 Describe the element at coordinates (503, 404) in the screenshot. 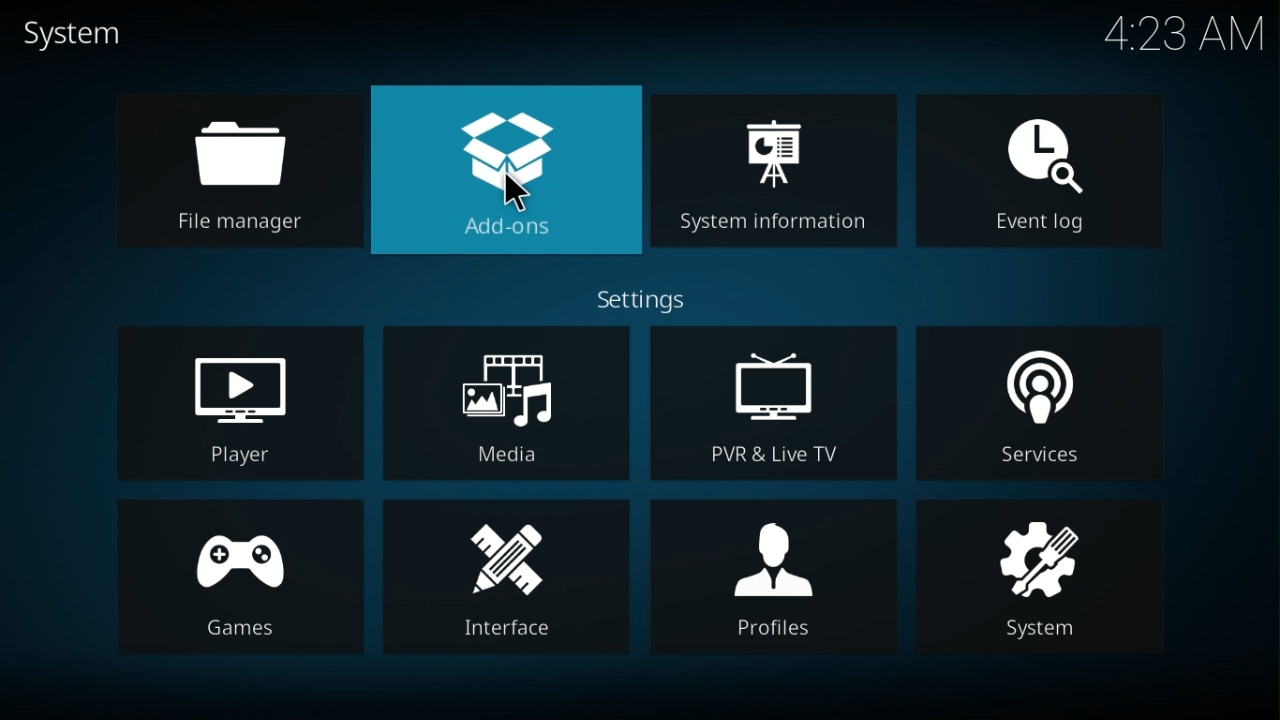

I see `Media` at that location.